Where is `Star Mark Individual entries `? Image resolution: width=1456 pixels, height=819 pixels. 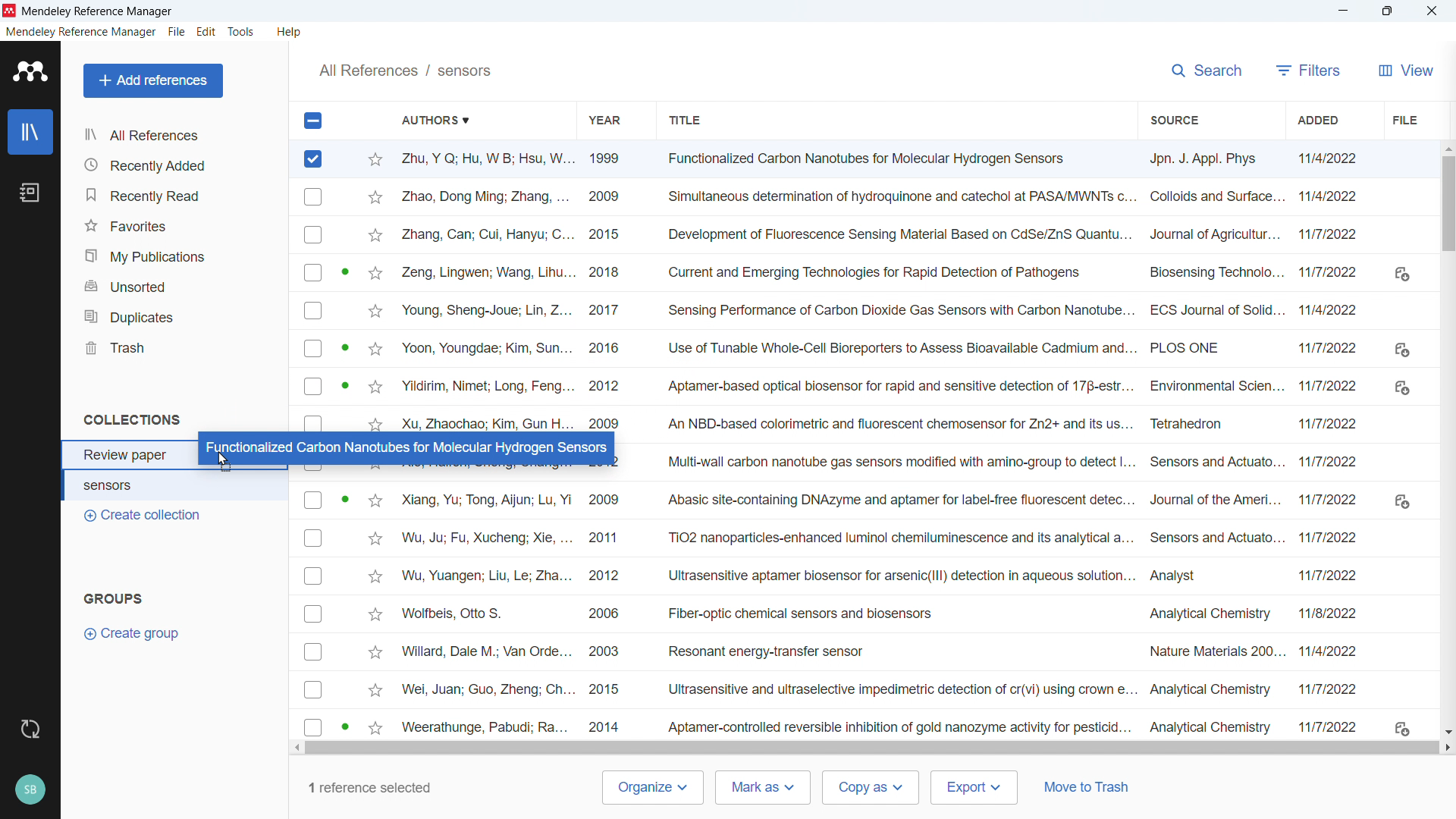 Star Mark Individual entries  is located at coordinates (375, 613).